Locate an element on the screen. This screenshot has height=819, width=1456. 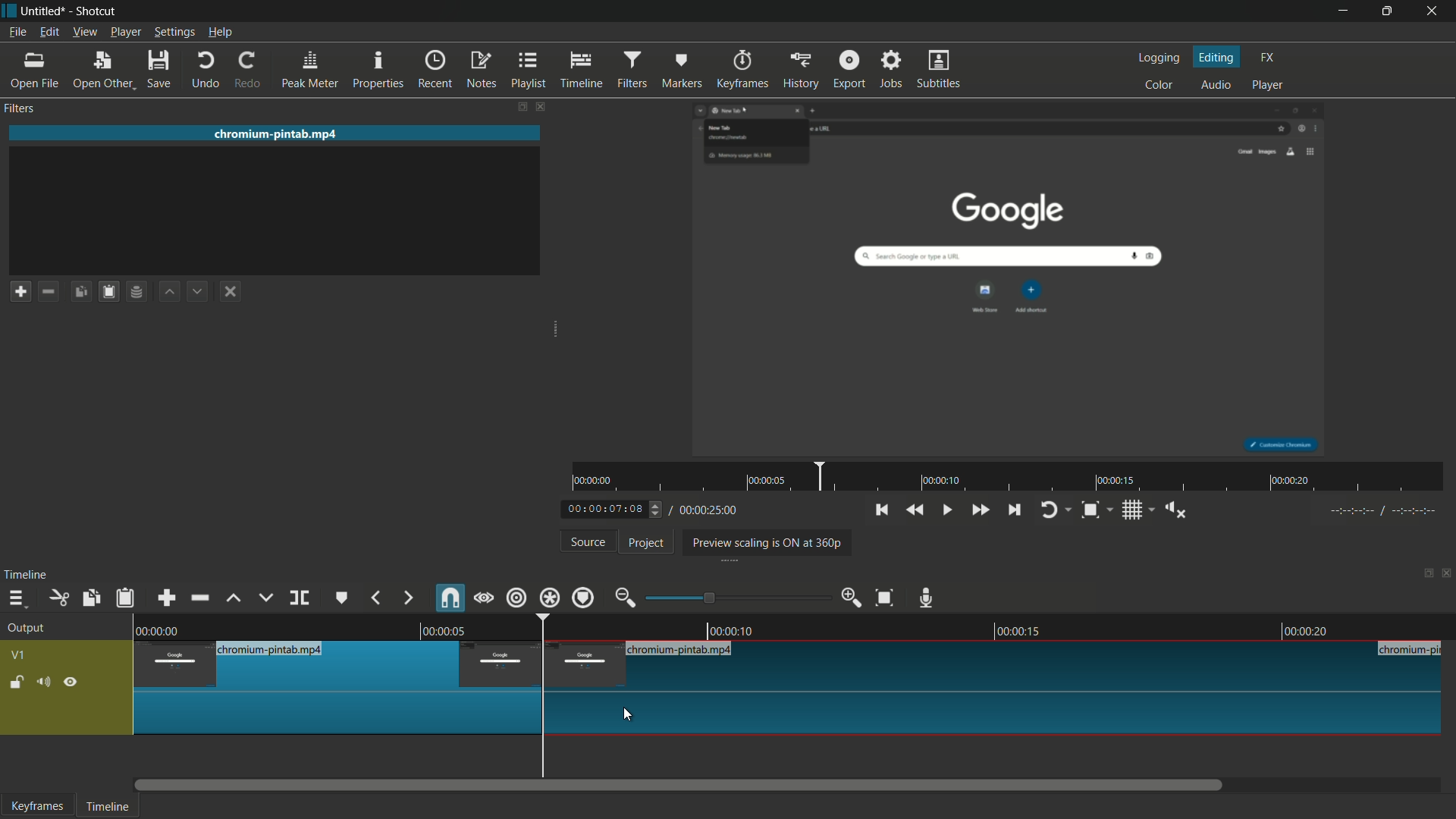
peak meter is located at coordinates (309, 71).